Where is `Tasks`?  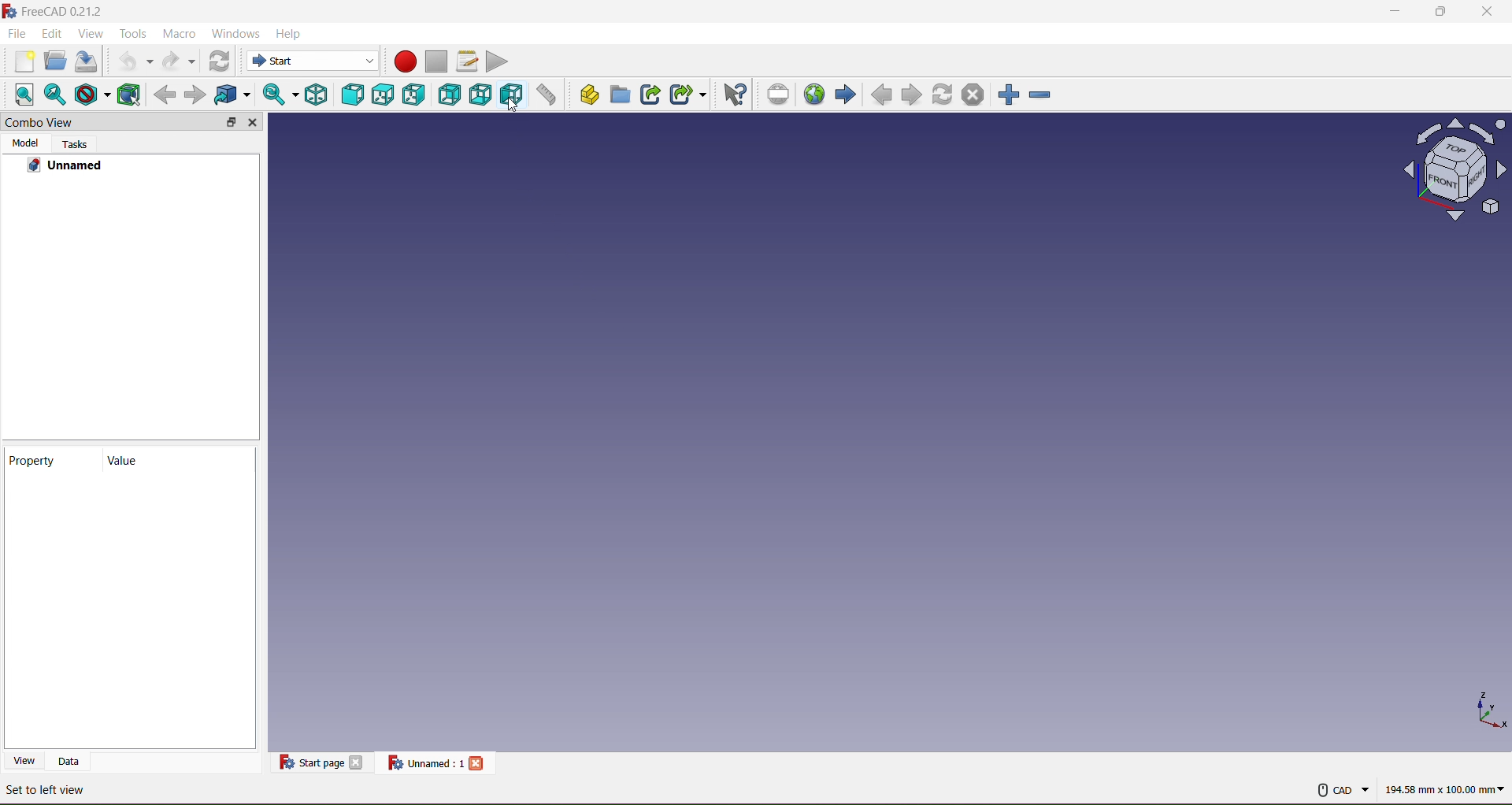 Tasks is located at coordinates (75, 145).